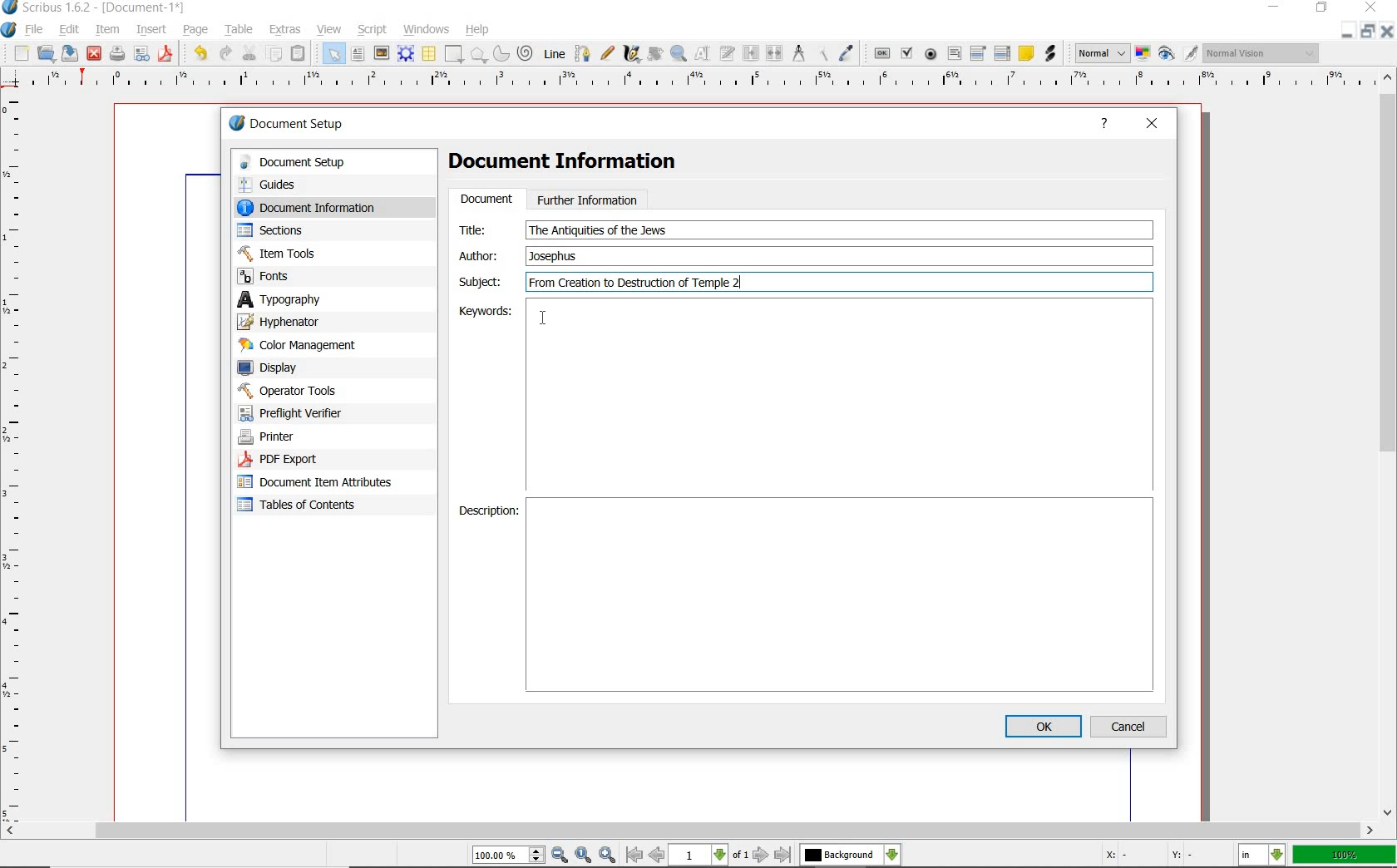 This screenshot has height=868, width=1397. I want to click on save as pdf, so click(165, 56).